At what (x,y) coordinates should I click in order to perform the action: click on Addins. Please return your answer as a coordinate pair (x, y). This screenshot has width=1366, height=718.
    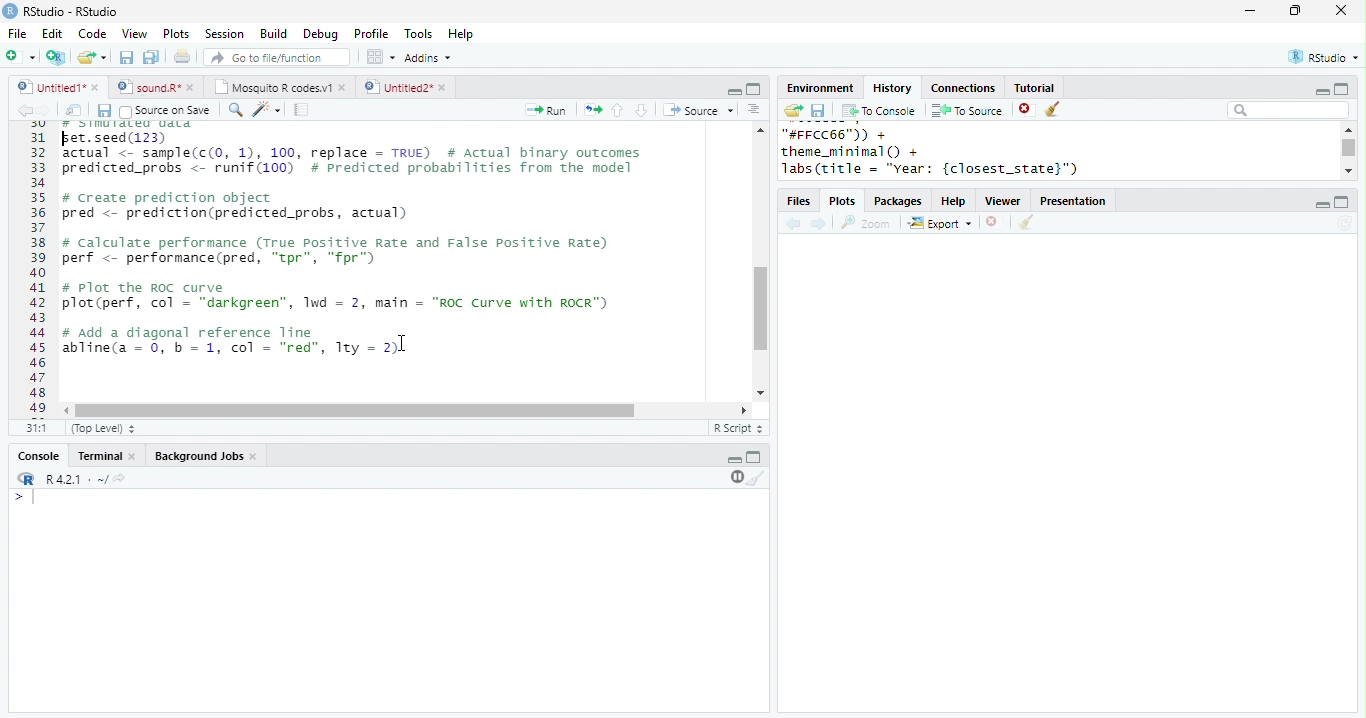
    Looking at the image, I should click on (428, 58).